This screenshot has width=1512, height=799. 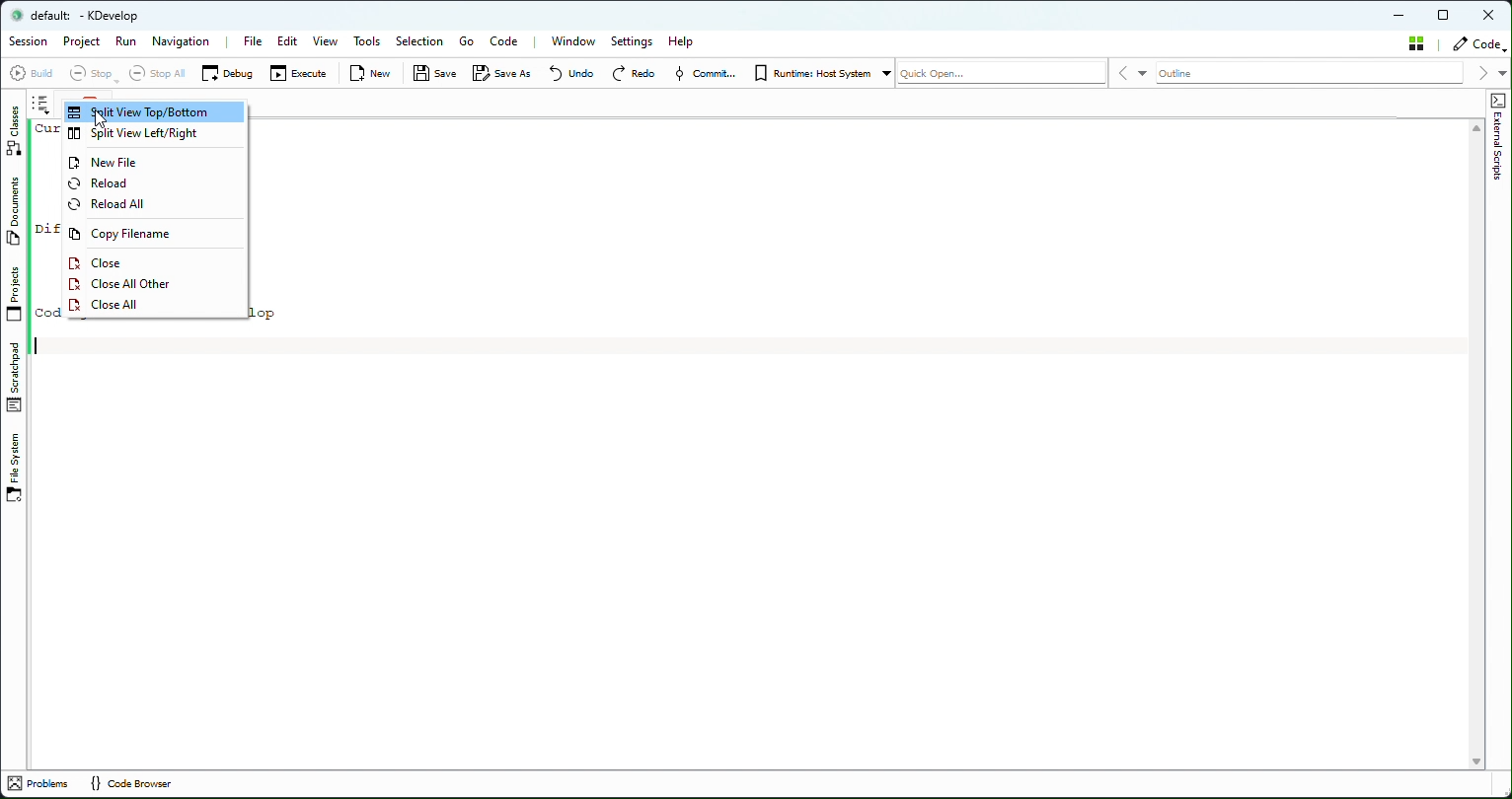 I want to click on Build, so click(x=35, y=75).